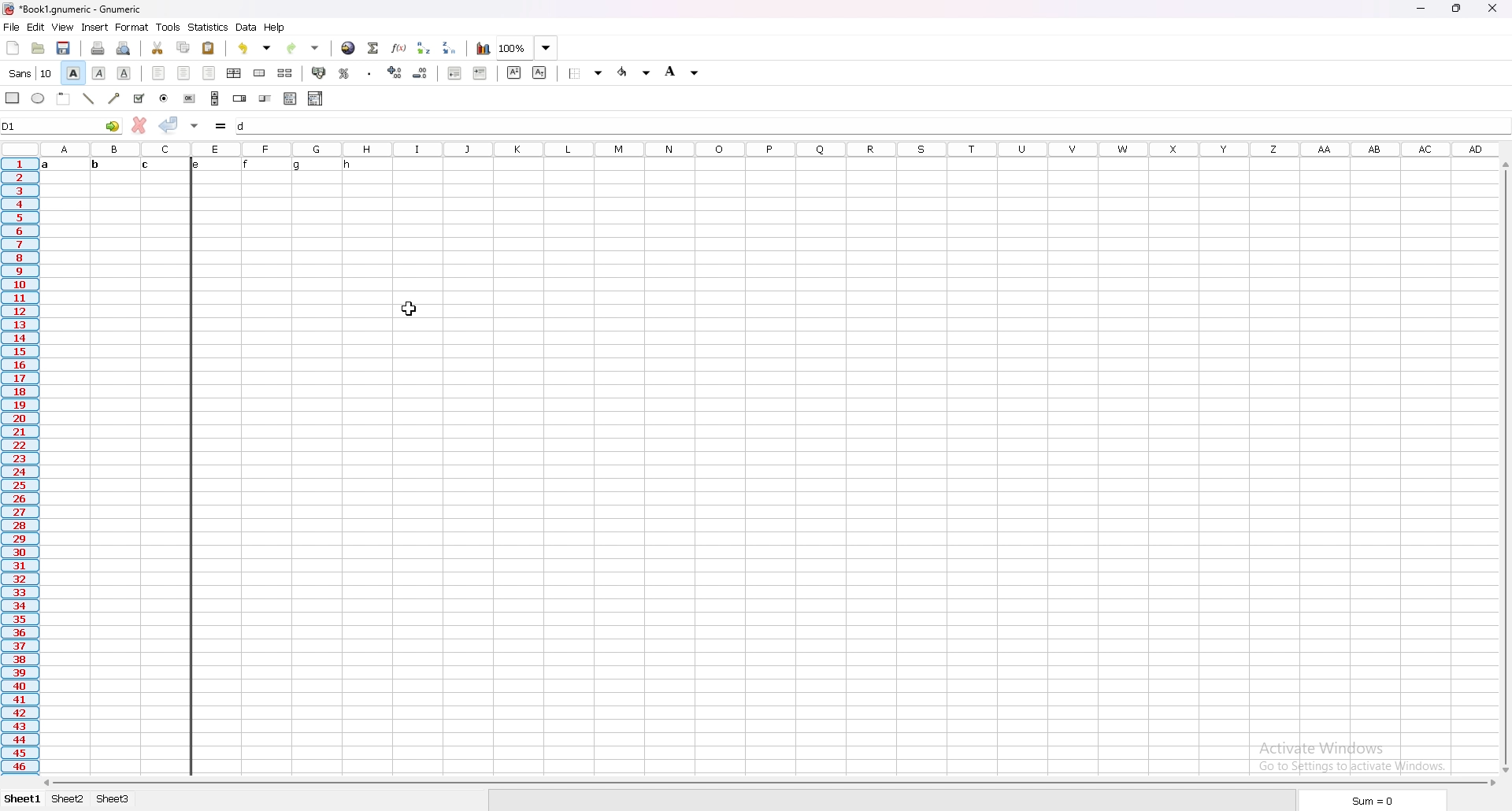 This screenshot has height=811, width=1512. What do you see at coordinates (190, 98) in the screenshot?
I see `button` at bounding box center [190, 98].